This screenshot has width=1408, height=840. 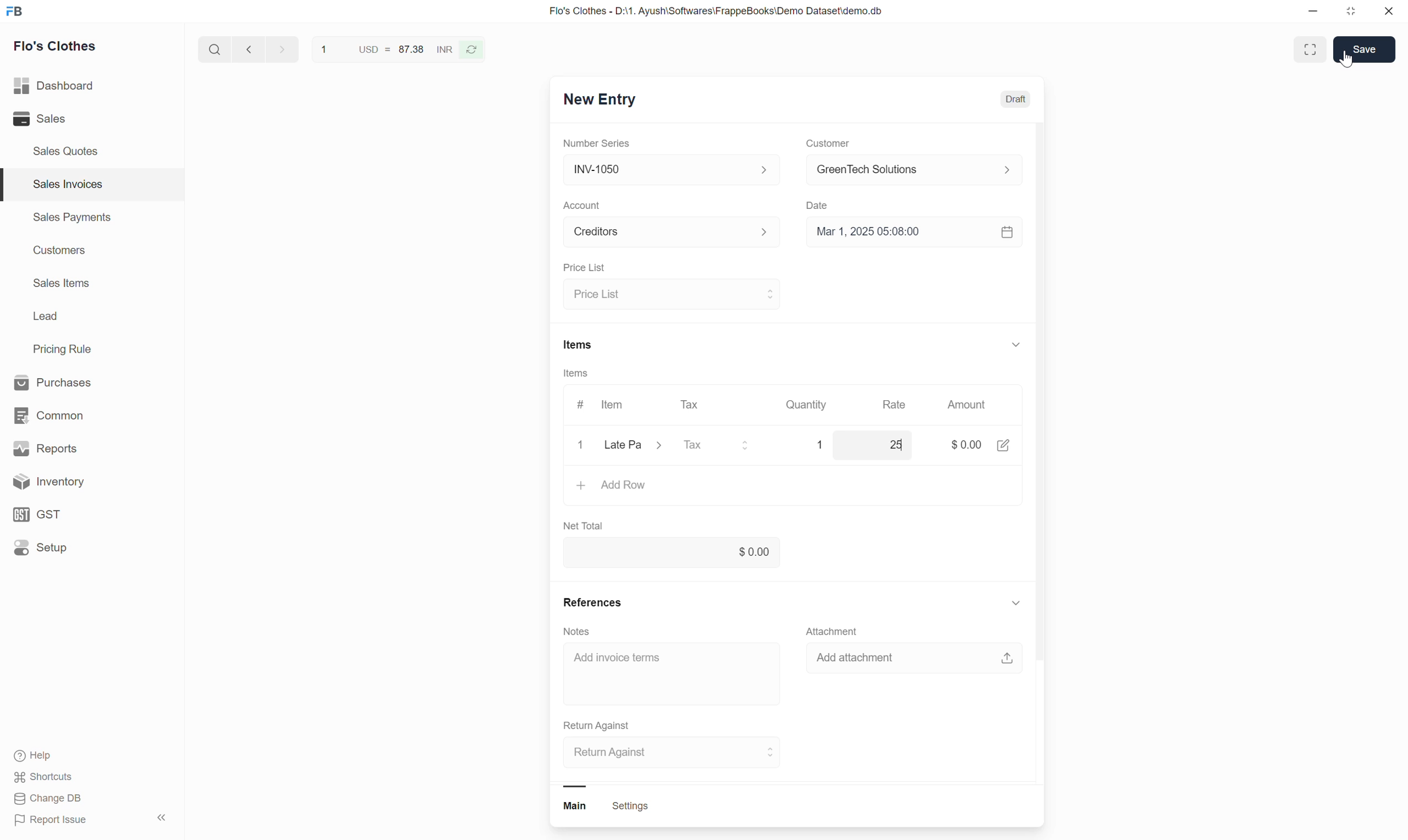 I want to click on Select item, so click(x=639, y=446).